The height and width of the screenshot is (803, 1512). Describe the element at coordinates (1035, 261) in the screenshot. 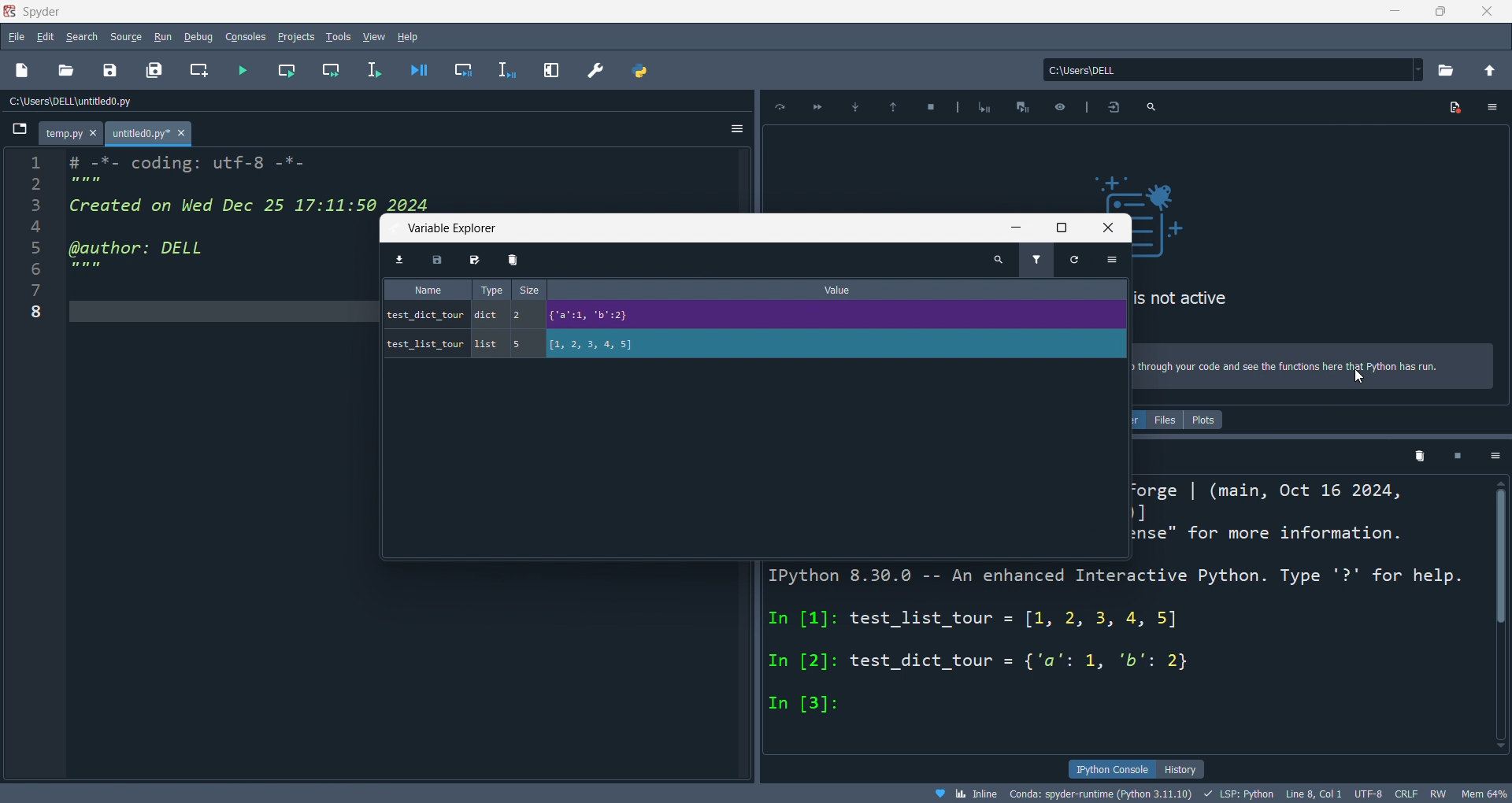

I see `filter` at that location.